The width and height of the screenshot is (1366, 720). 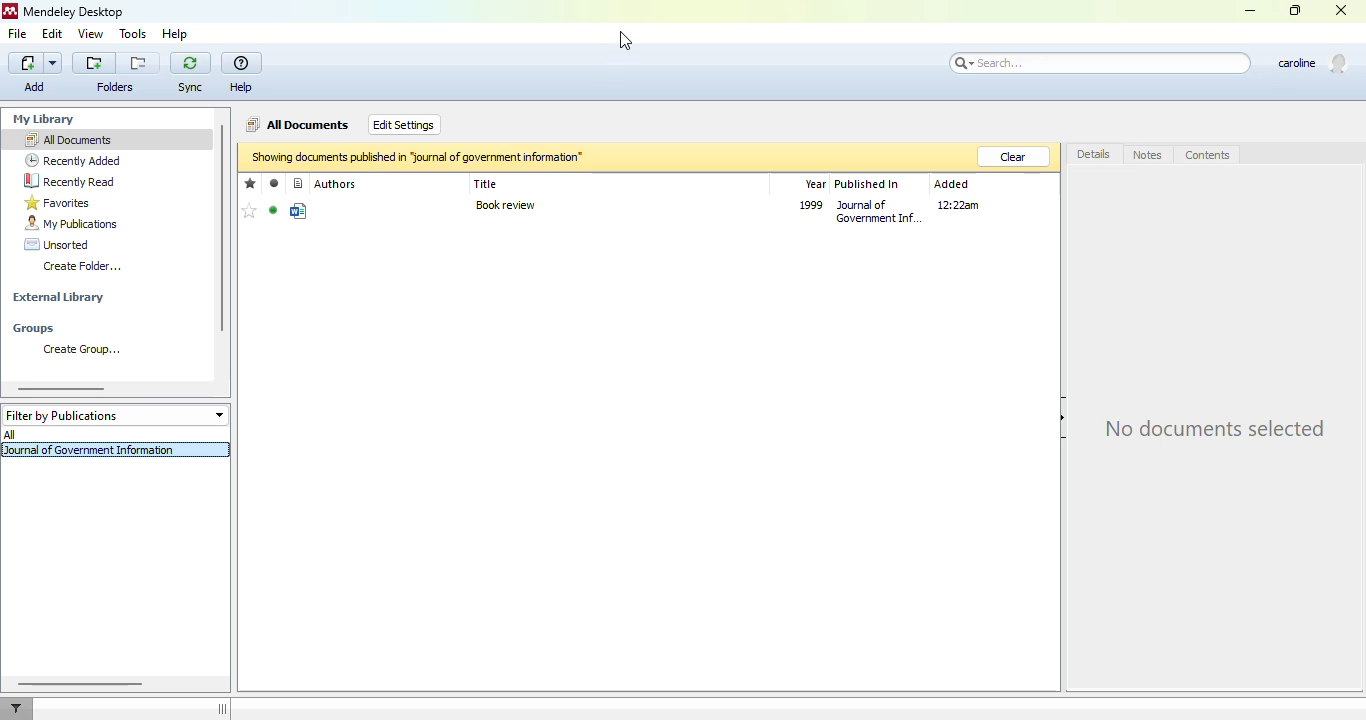 I want to click on profile, so click(x=1314, y=63).